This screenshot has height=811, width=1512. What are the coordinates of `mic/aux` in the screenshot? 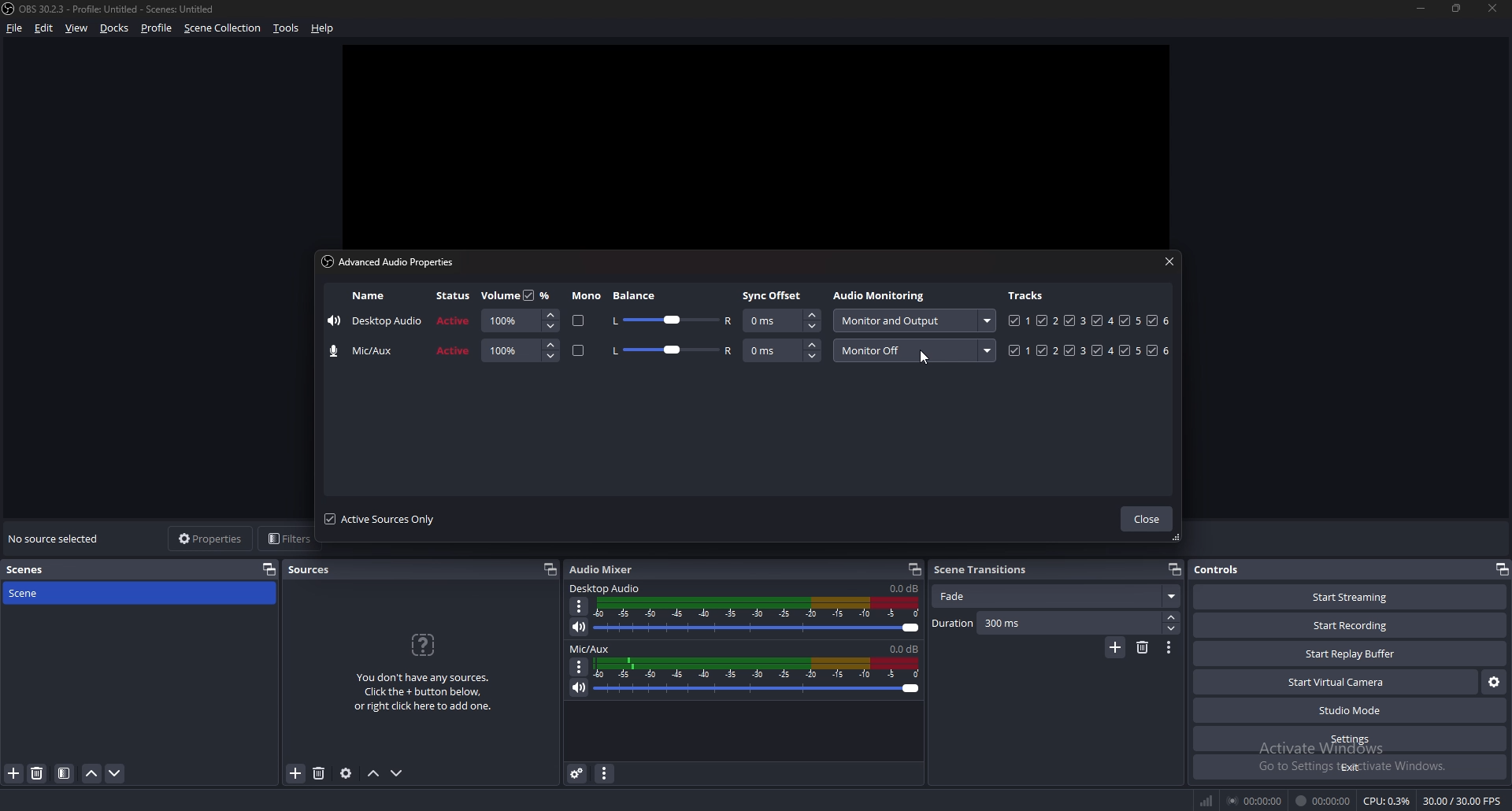 It's located at (591, 648).